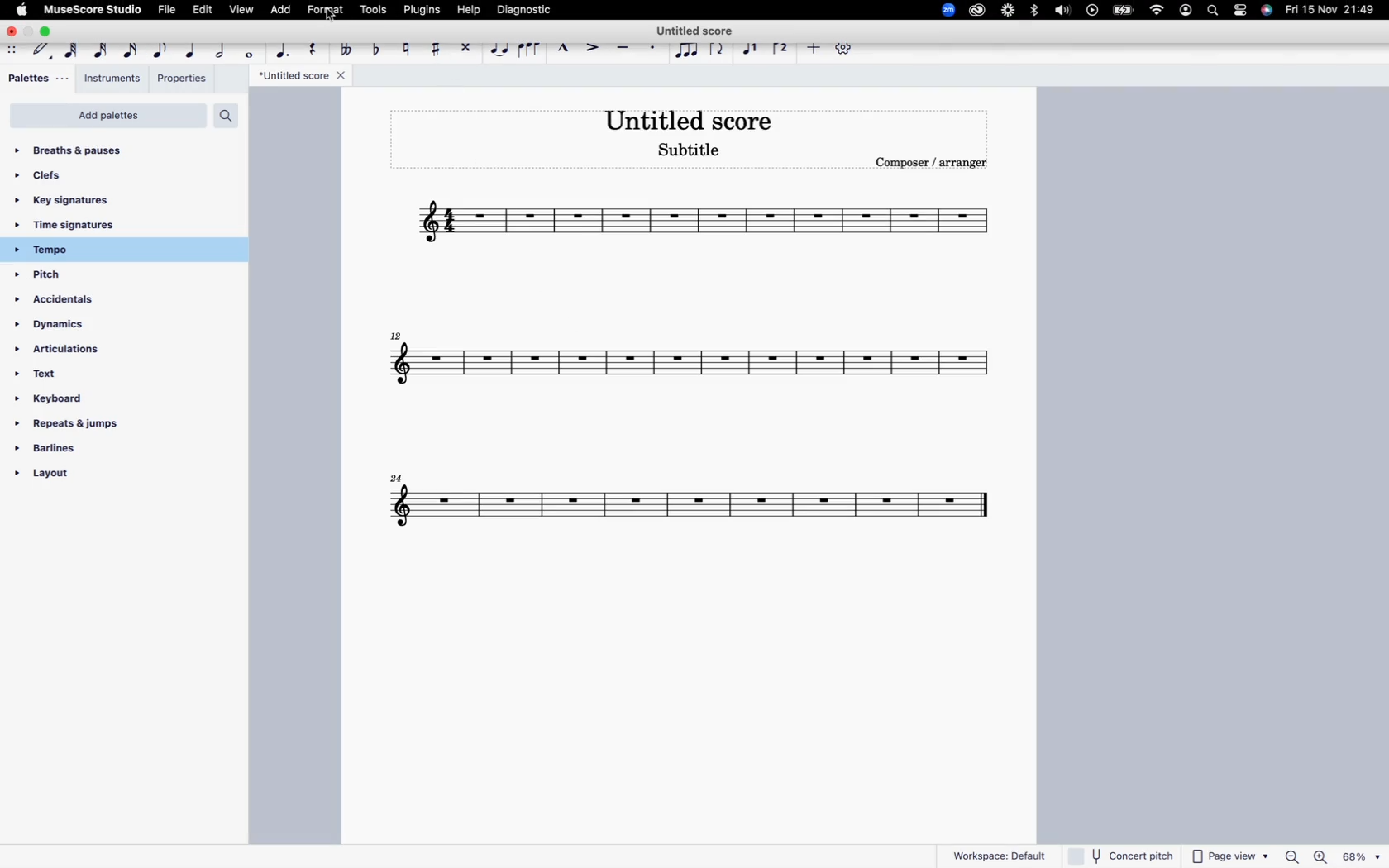 Image resolution: width=1389 pixels, height=868 pixels. Describe the element at coordinates (690, 150) in the screenshot. I see `score subtitle` at that location.